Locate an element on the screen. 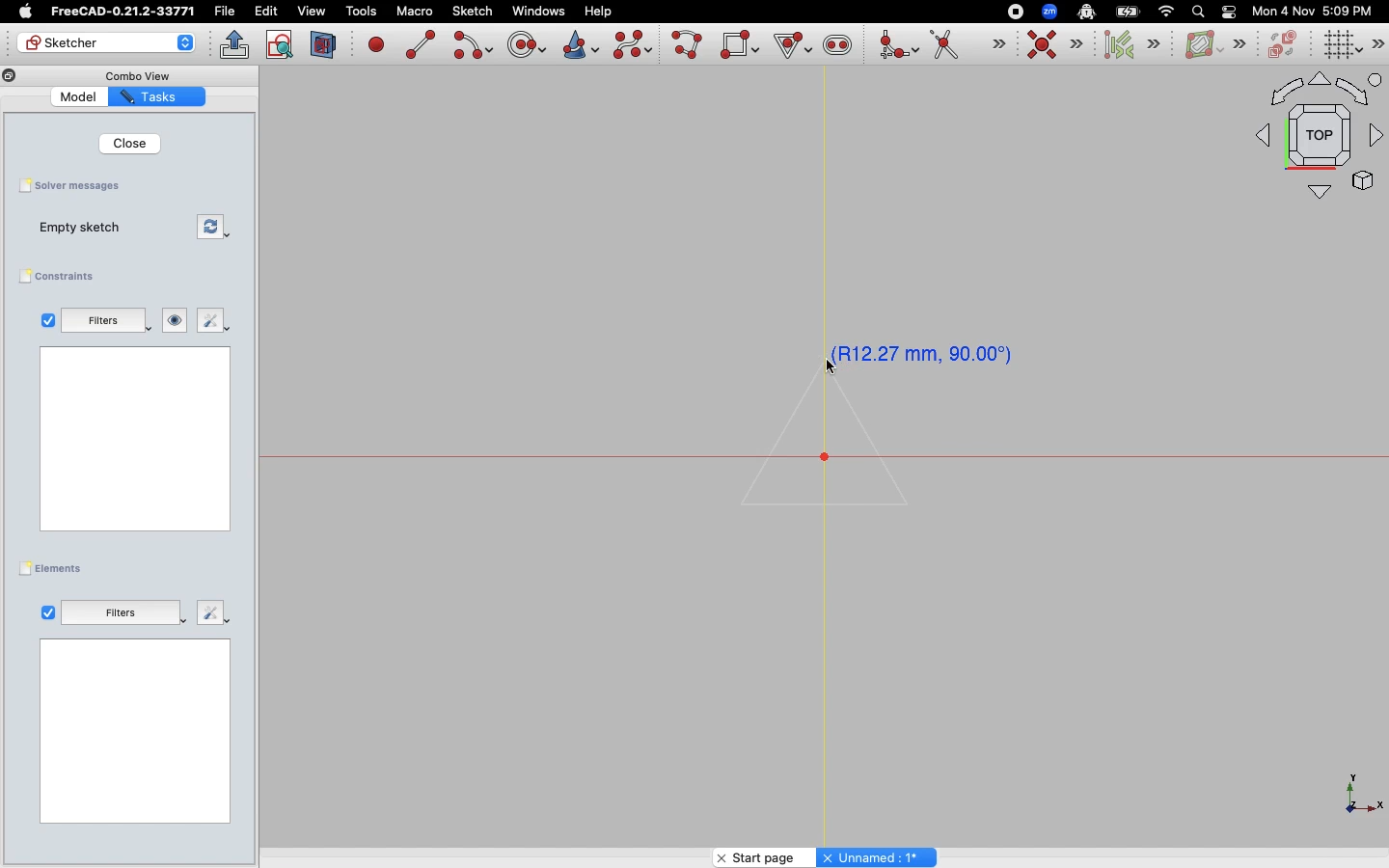 Image resolution: width=1389 pixels, height=868 pixels. Network is located at coordinates (1167, 12).